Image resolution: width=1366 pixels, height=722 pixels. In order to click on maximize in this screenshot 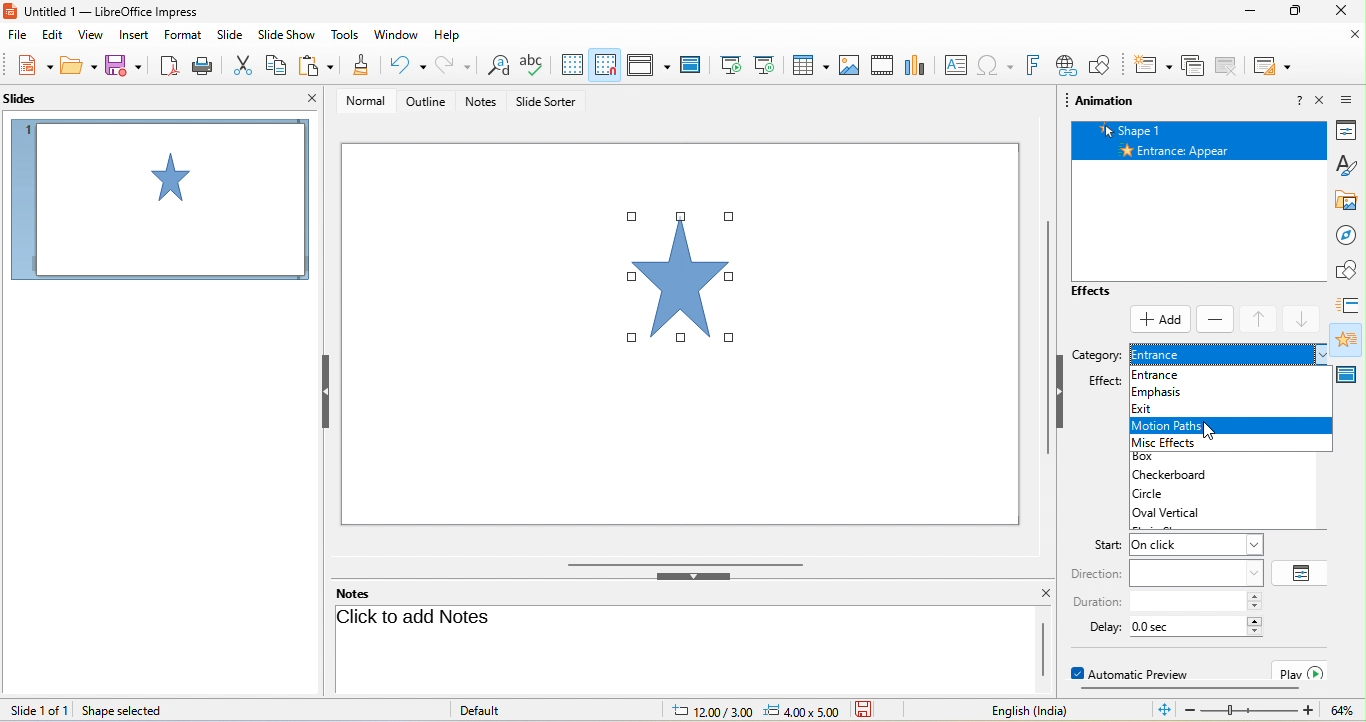, I will do `click(1296, 10)`.